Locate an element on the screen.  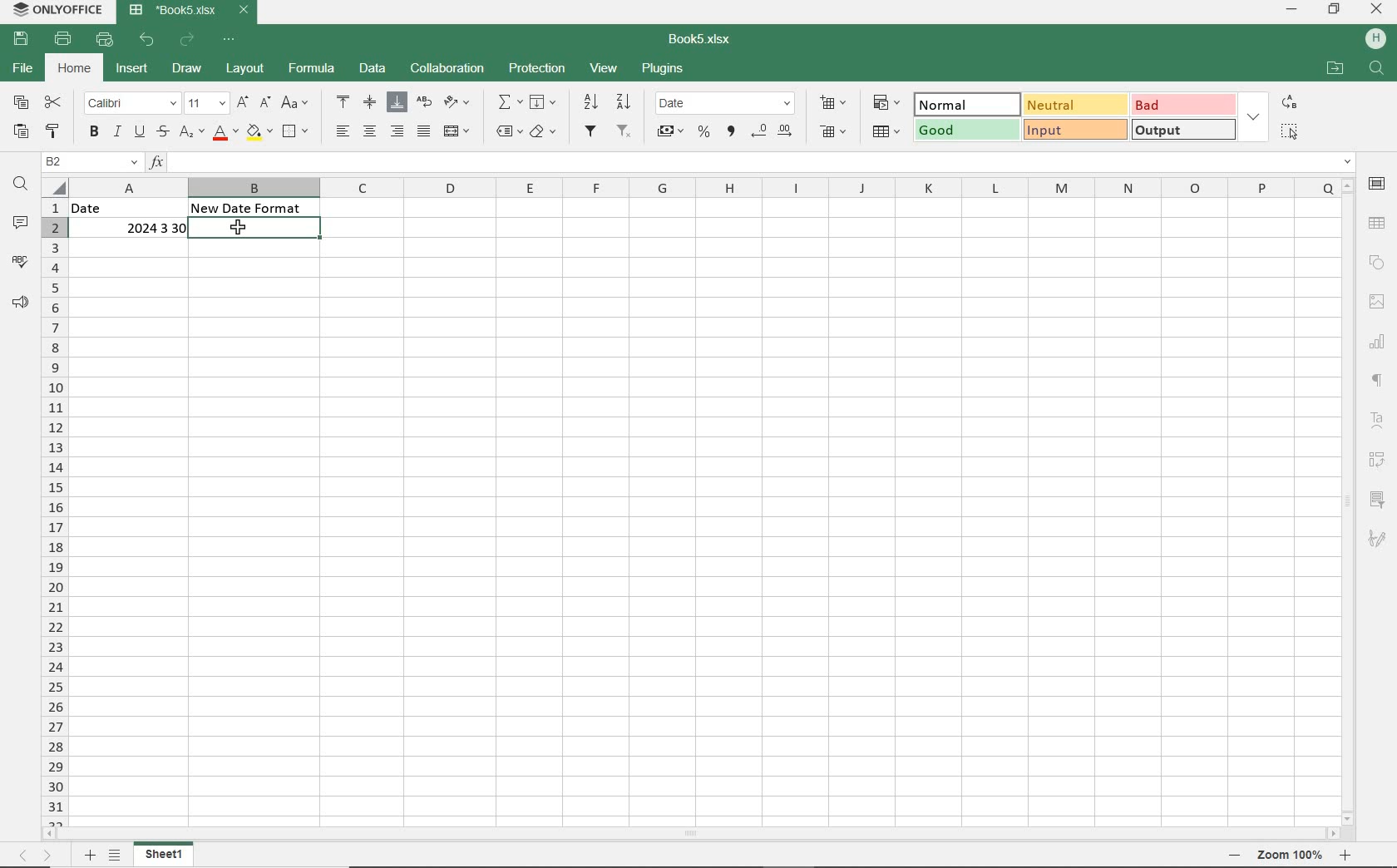
MINIMIZE is located at coordinates (1292, 11).